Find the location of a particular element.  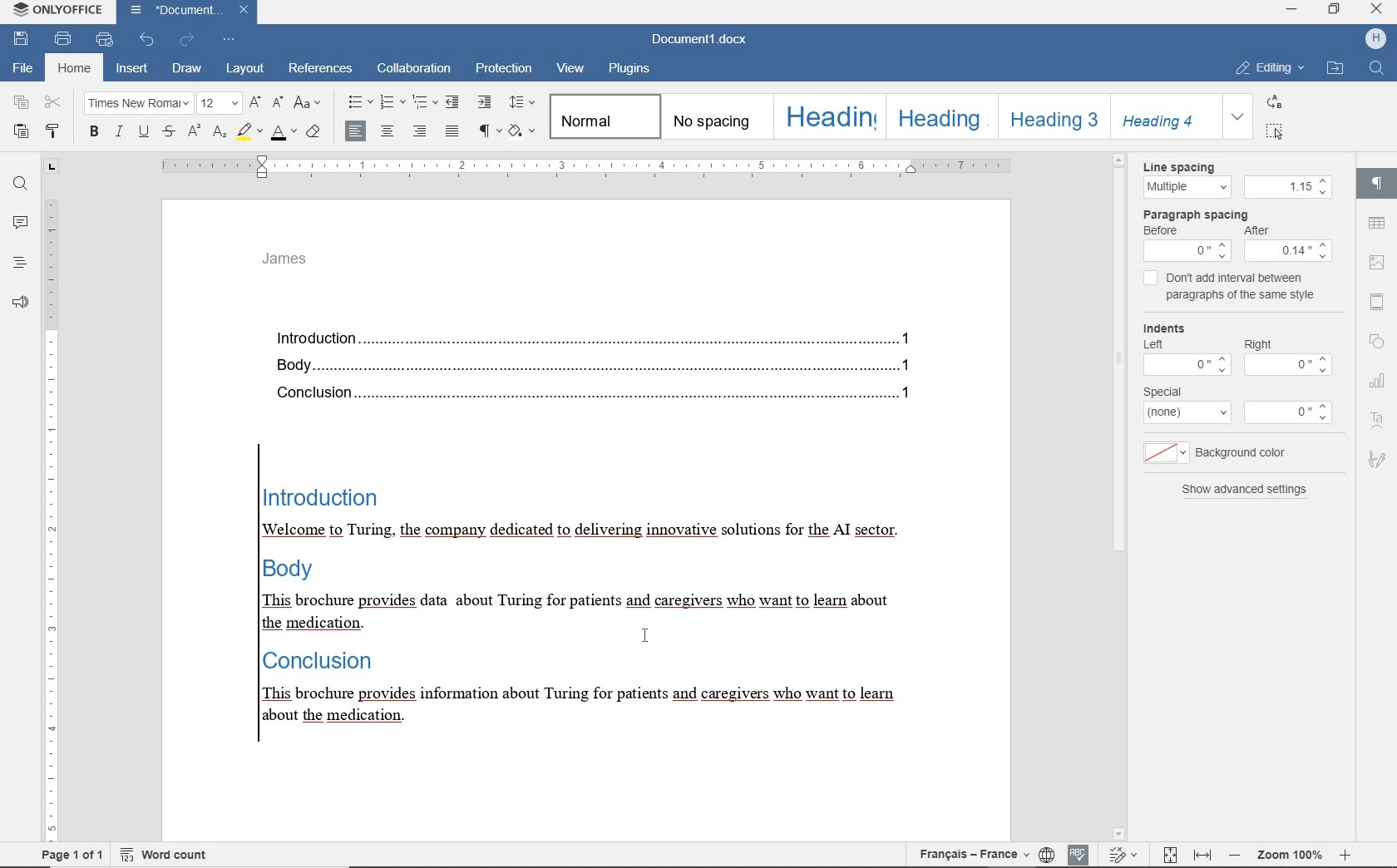

checkbox is located at coordinates (1151, 280).